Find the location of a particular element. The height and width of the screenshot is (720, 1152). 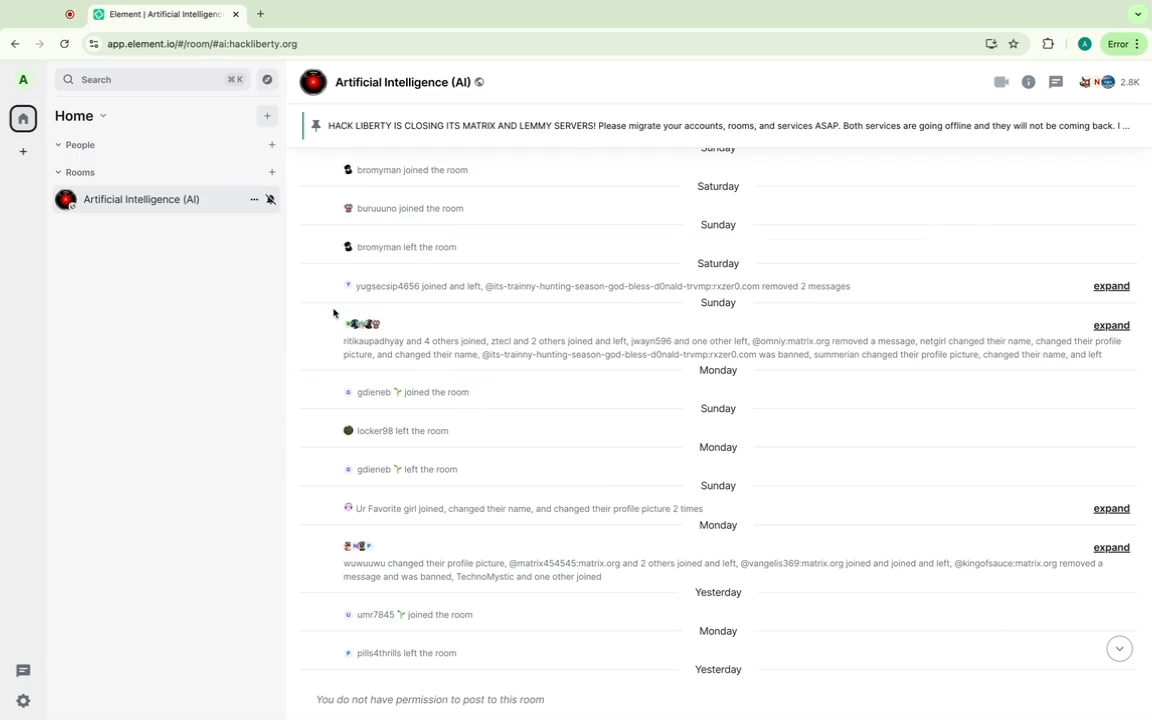

Day is located at coordinates (714, 187).